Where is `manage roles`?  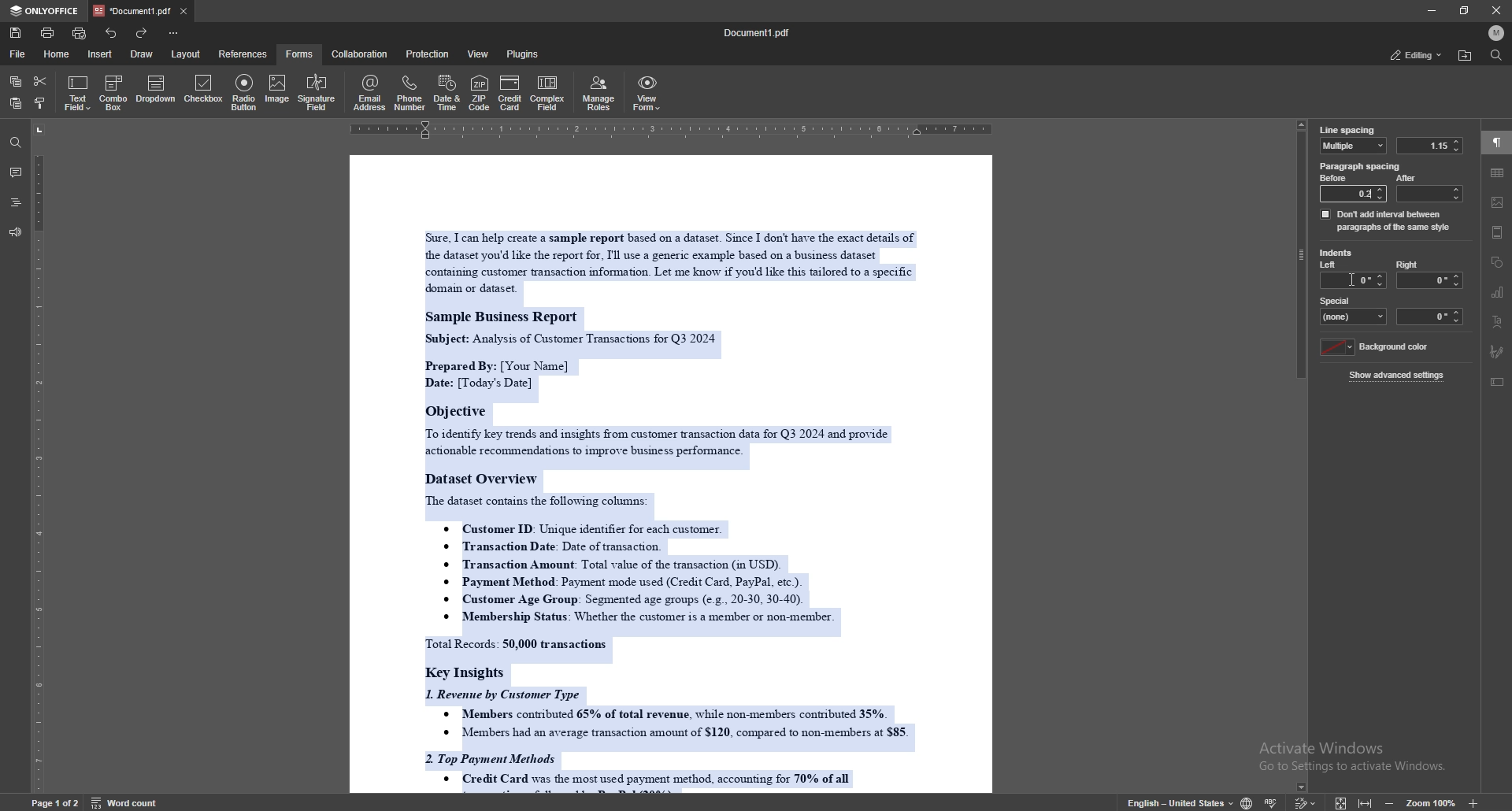
manage roles is located at coordinates (601, 92).